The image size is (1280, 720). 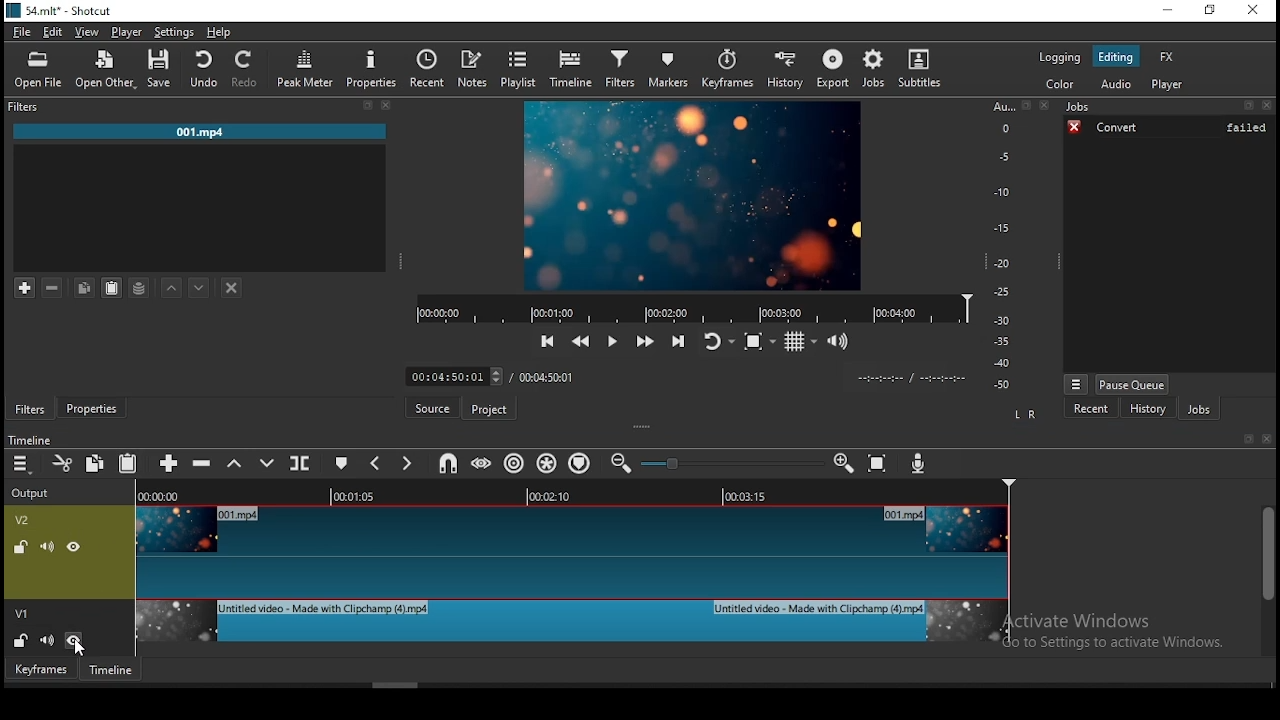 I want to click on audio scale, so click(x=1019, y=250).